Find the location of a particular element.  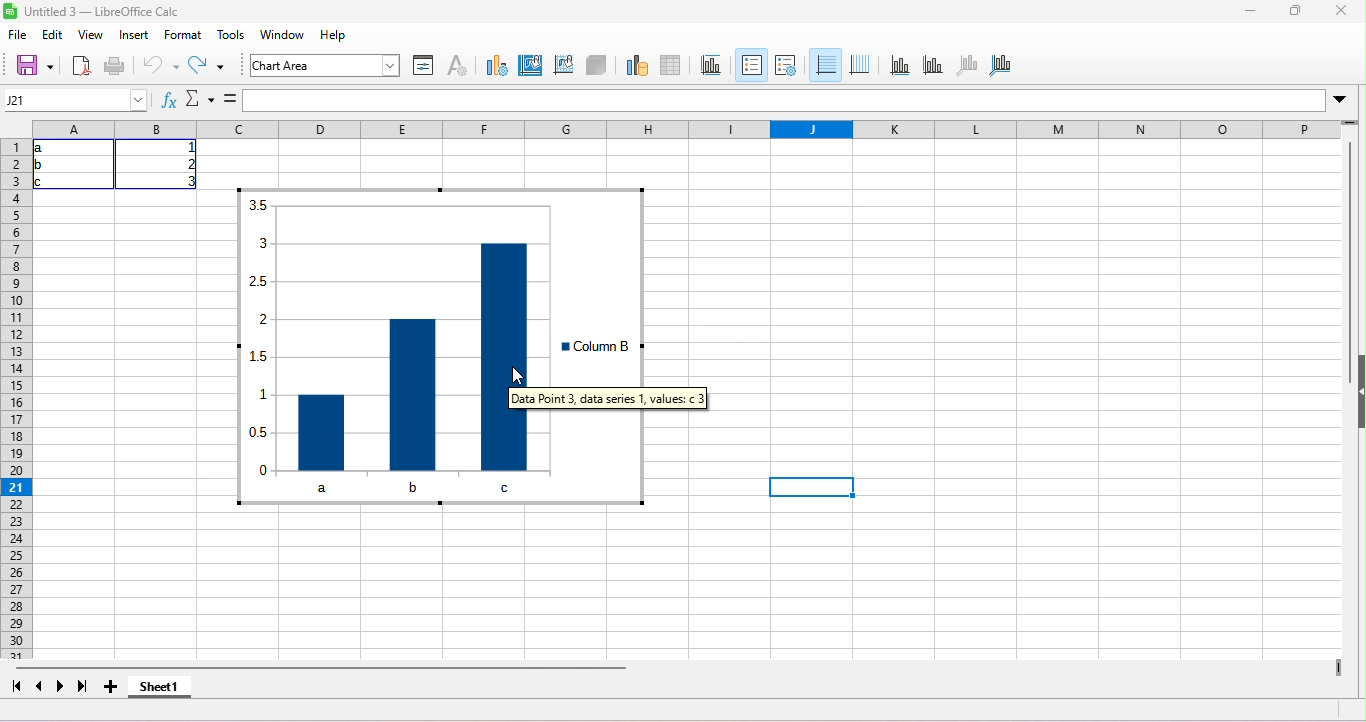

edit is located at coordinates (55, 36).